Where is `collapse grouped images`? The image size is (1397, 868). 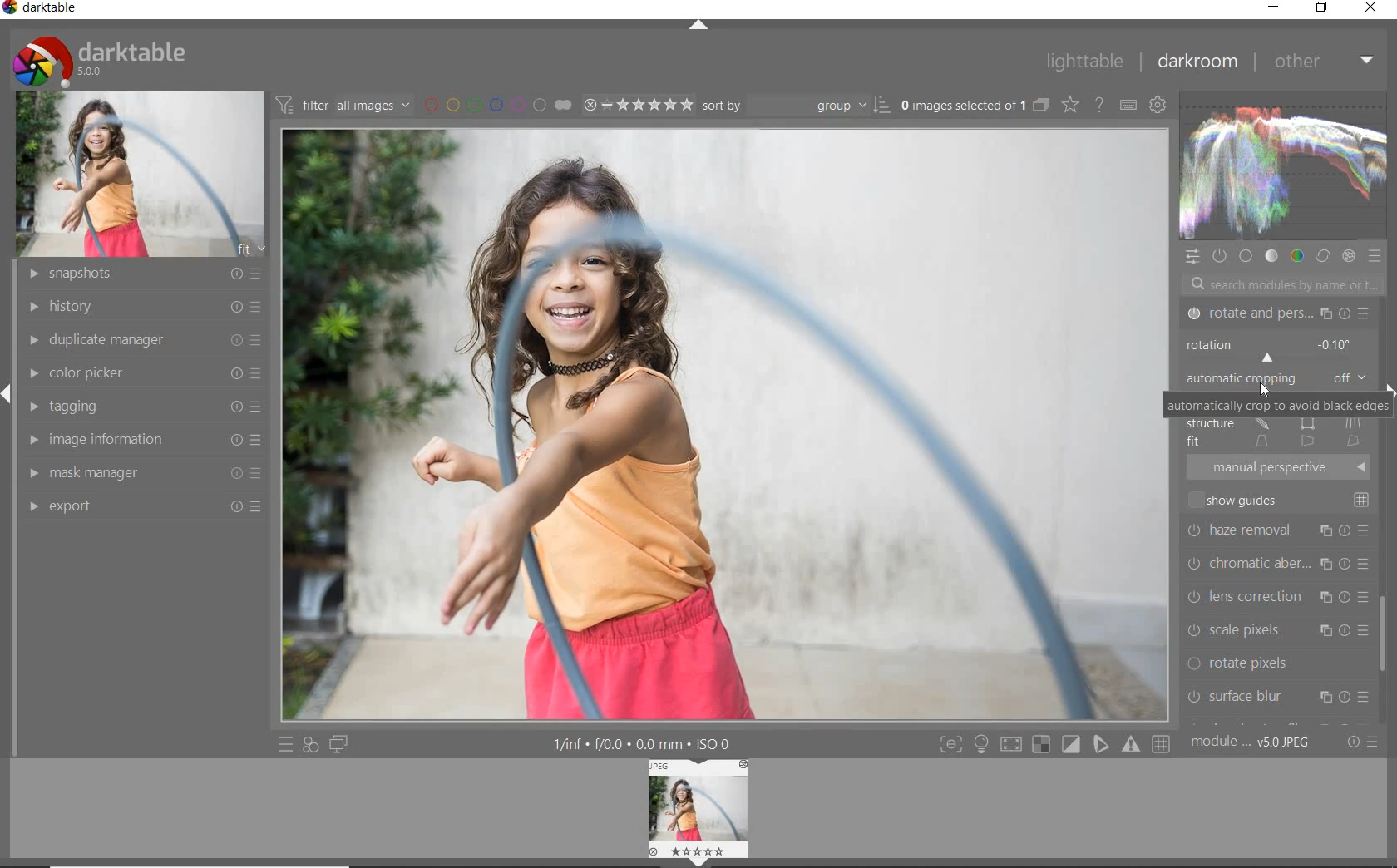 collapse grouped images is located at coordinates (1041, 106).